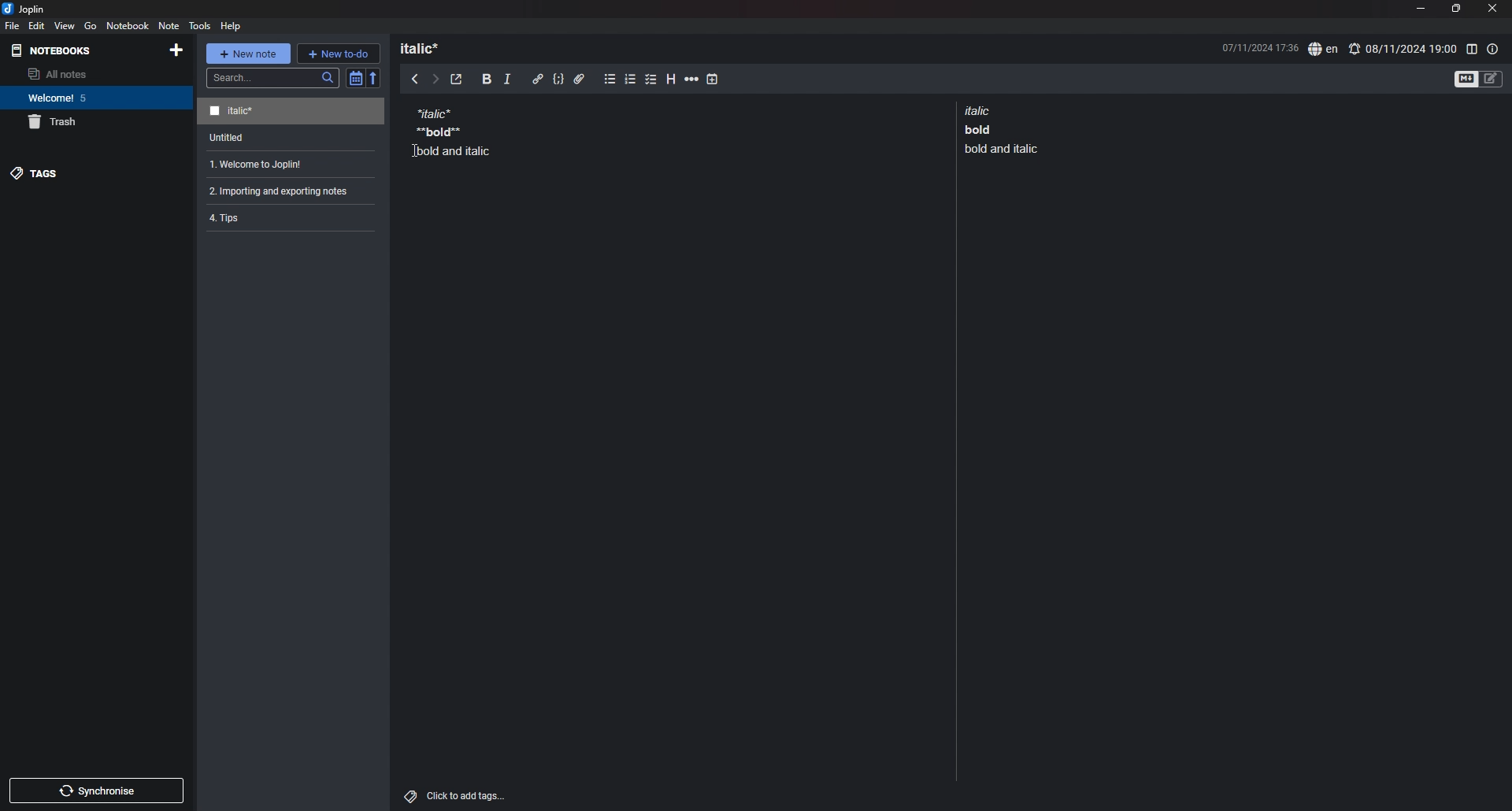  I want to click on all notes, so click(92, 74).